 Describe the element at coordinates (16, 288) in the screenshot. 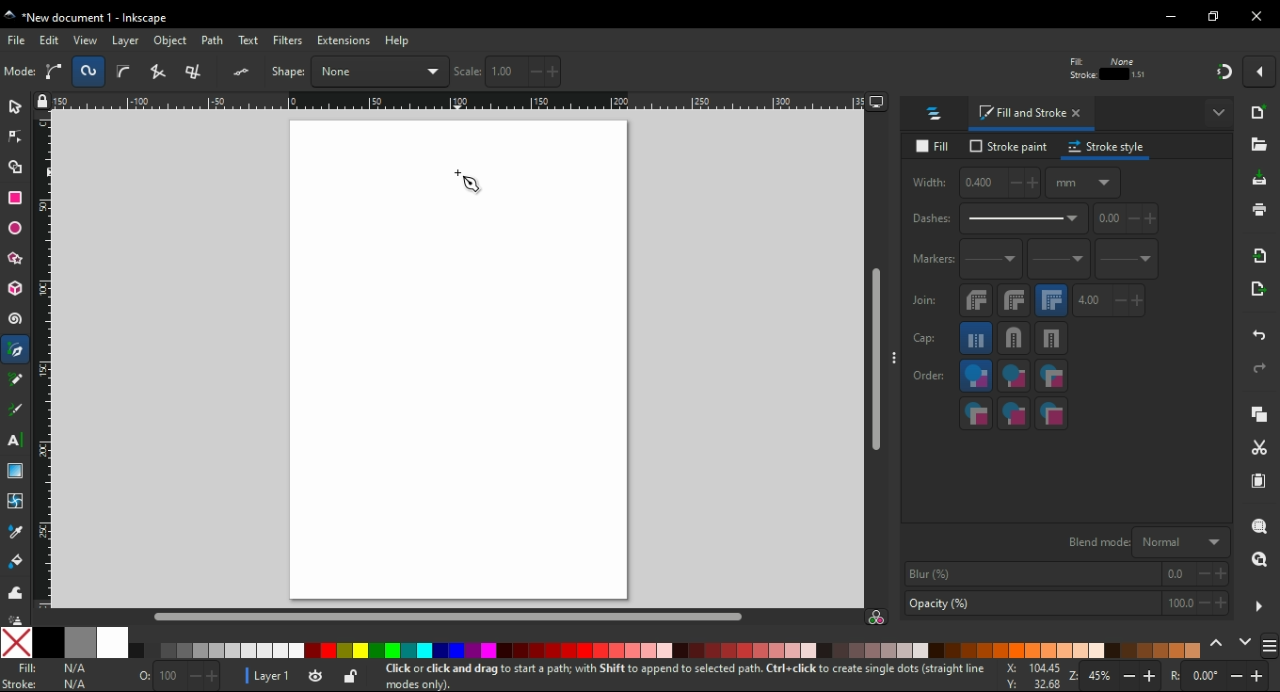

I see `3D box tool` at that location.